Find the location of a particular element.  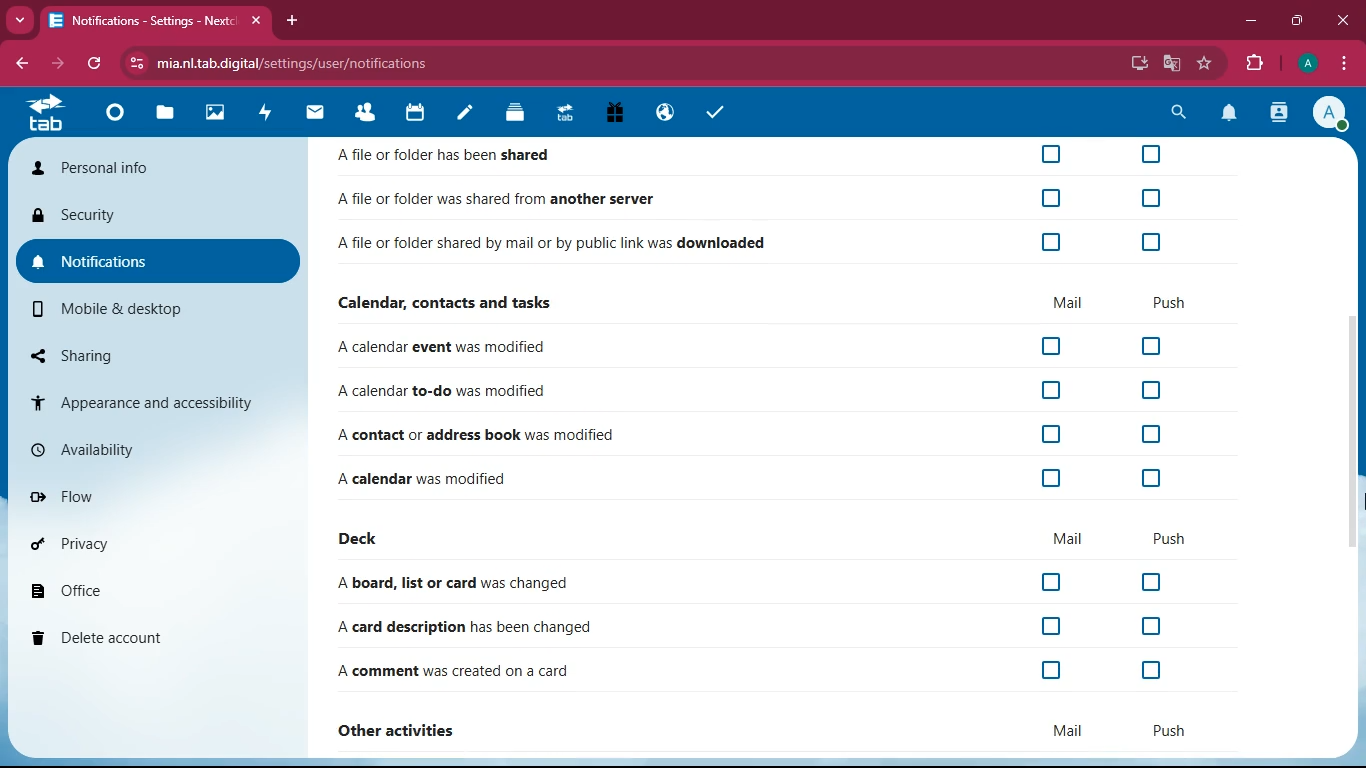

security is located at coordinates (155, 216).